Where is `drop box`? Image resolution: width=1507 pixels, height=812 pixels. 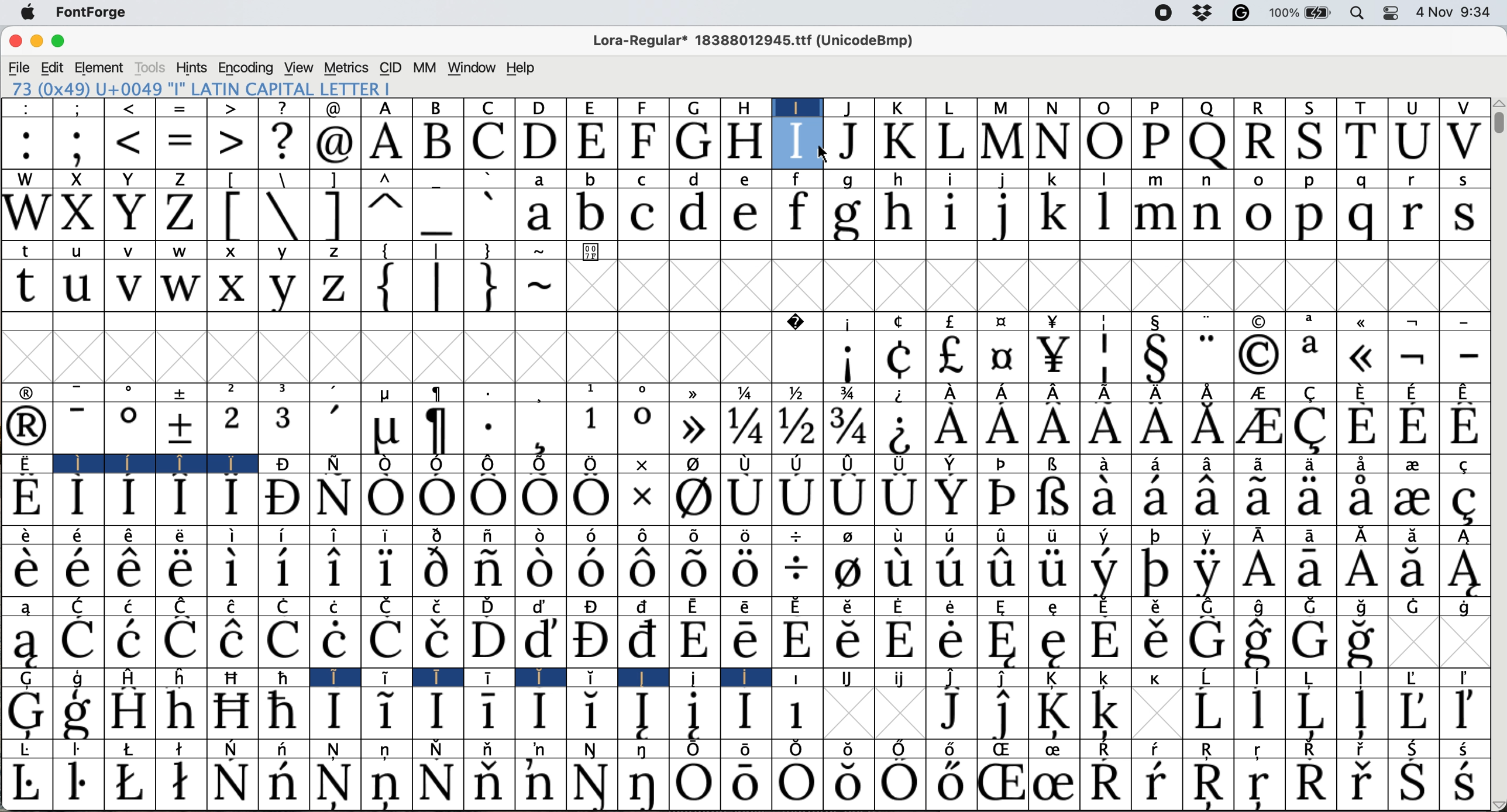
drop box is located at coordinates (1203, 14).